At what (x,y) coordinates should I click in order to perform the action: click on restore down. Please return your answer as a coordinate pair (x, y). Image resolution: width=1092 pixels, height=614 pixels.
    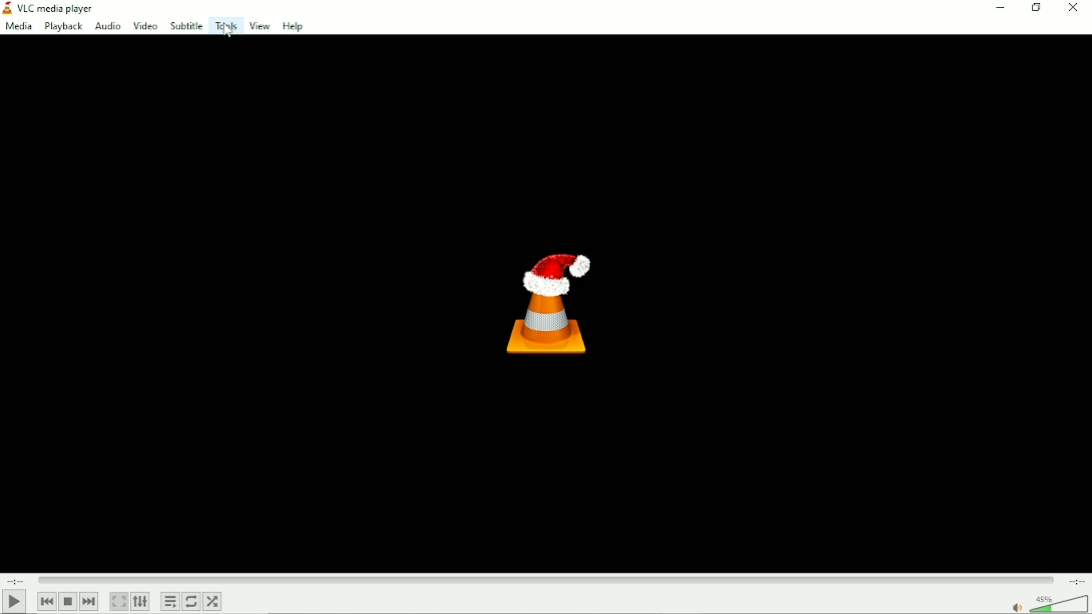
    Looking at the image, I should click on (1036, 7).